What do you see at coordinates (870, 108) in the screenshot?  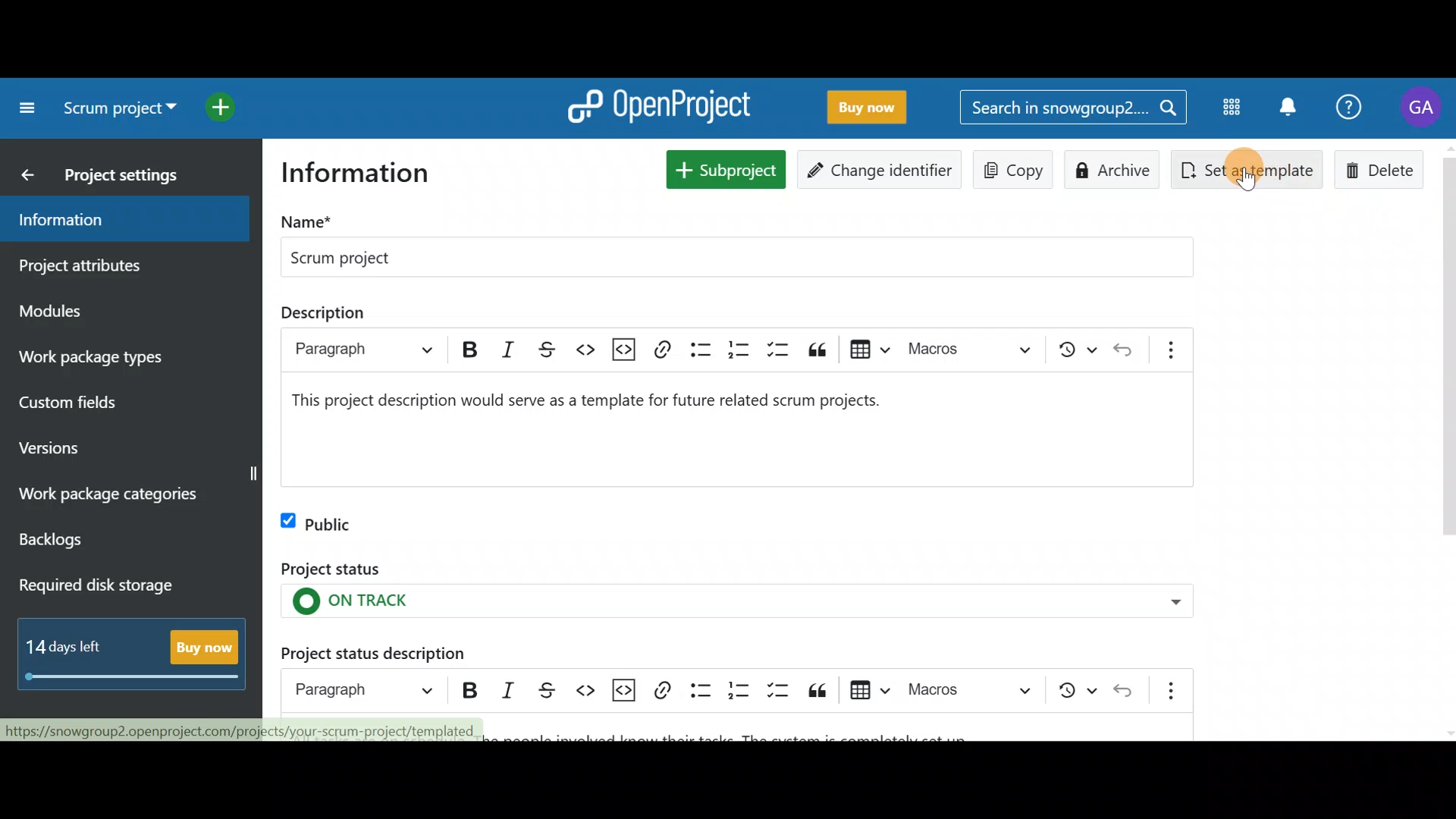 I see `Buy now` at bounding box center [870, 108].